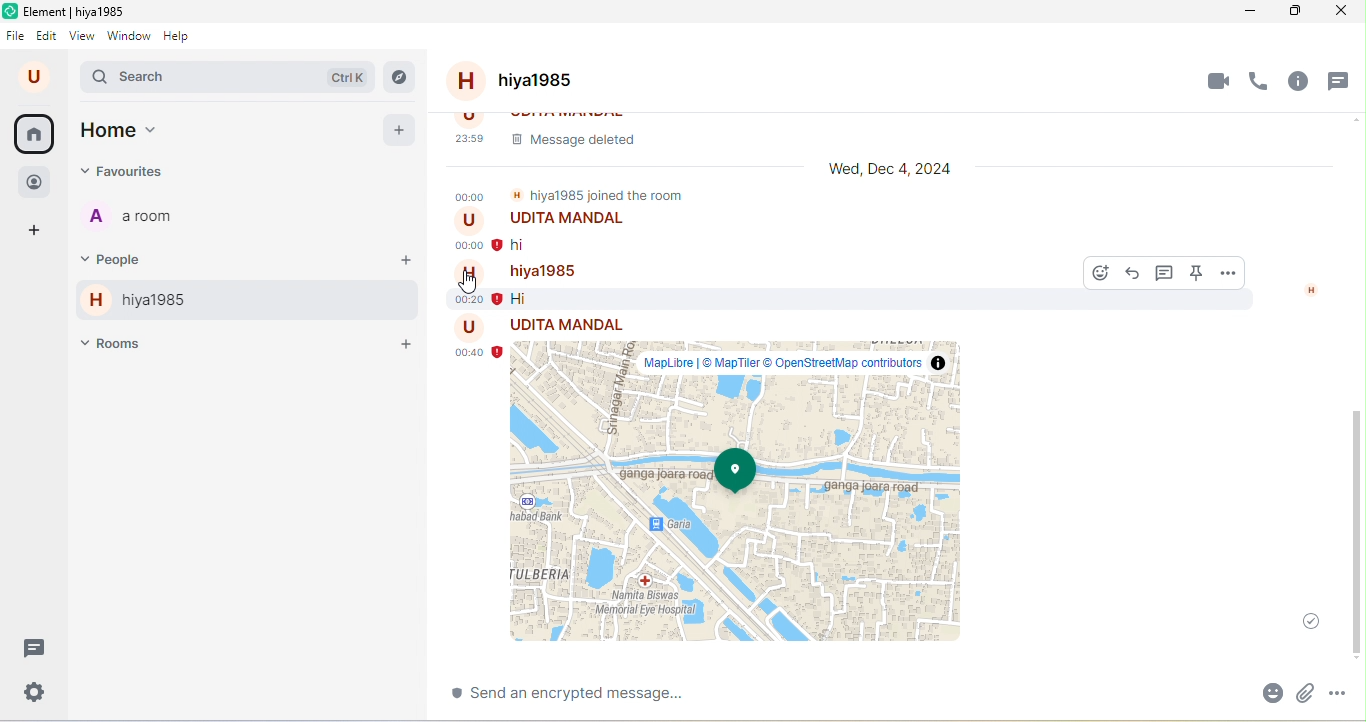  Describe the element at coordinates (48, 38) in the screenshot. I see `edit` at that location.